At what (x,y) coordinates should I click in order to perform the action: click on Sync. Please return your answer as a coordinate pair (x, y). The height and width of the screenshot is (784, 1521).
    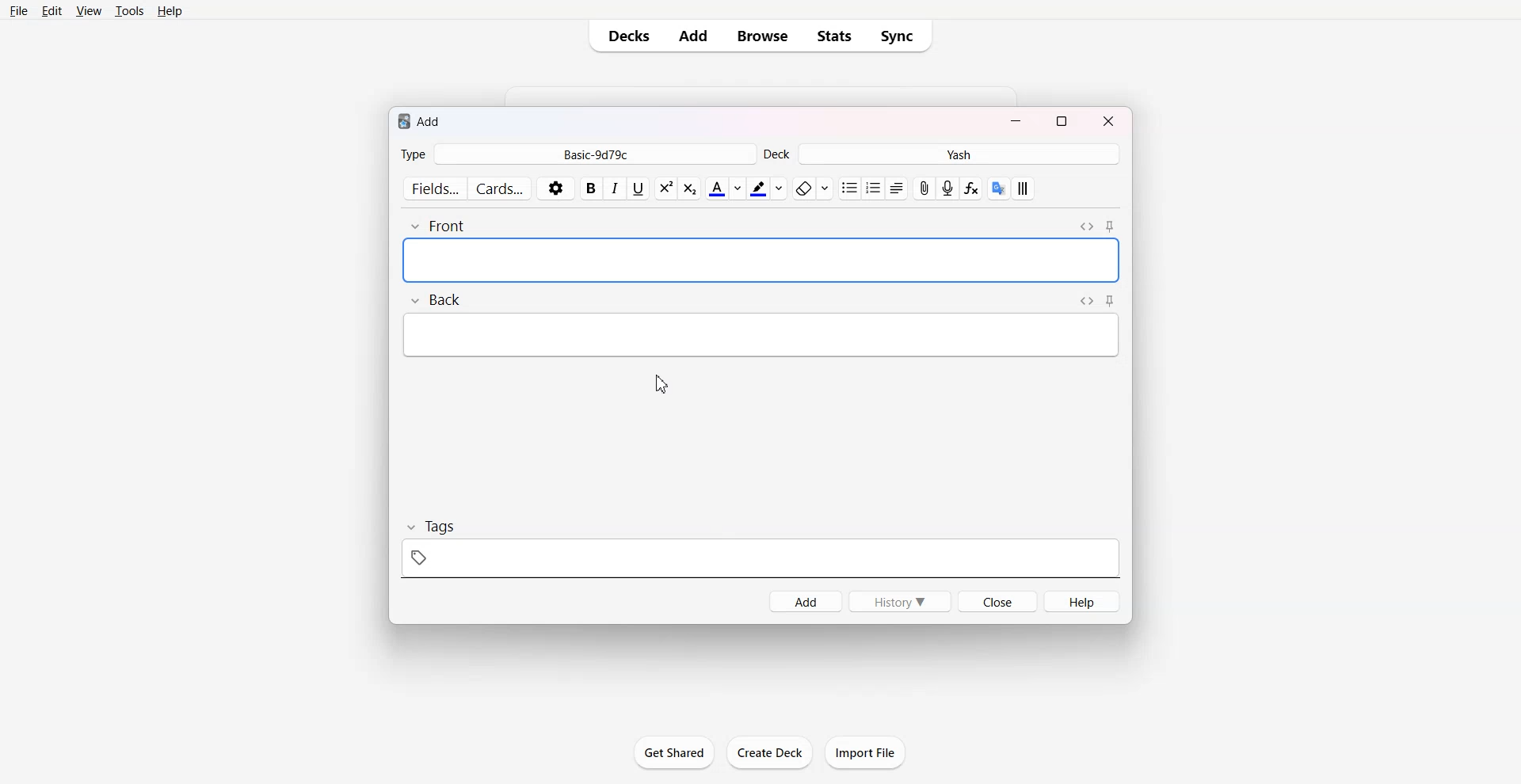
    Looking at the image, I should click on (902, 36).